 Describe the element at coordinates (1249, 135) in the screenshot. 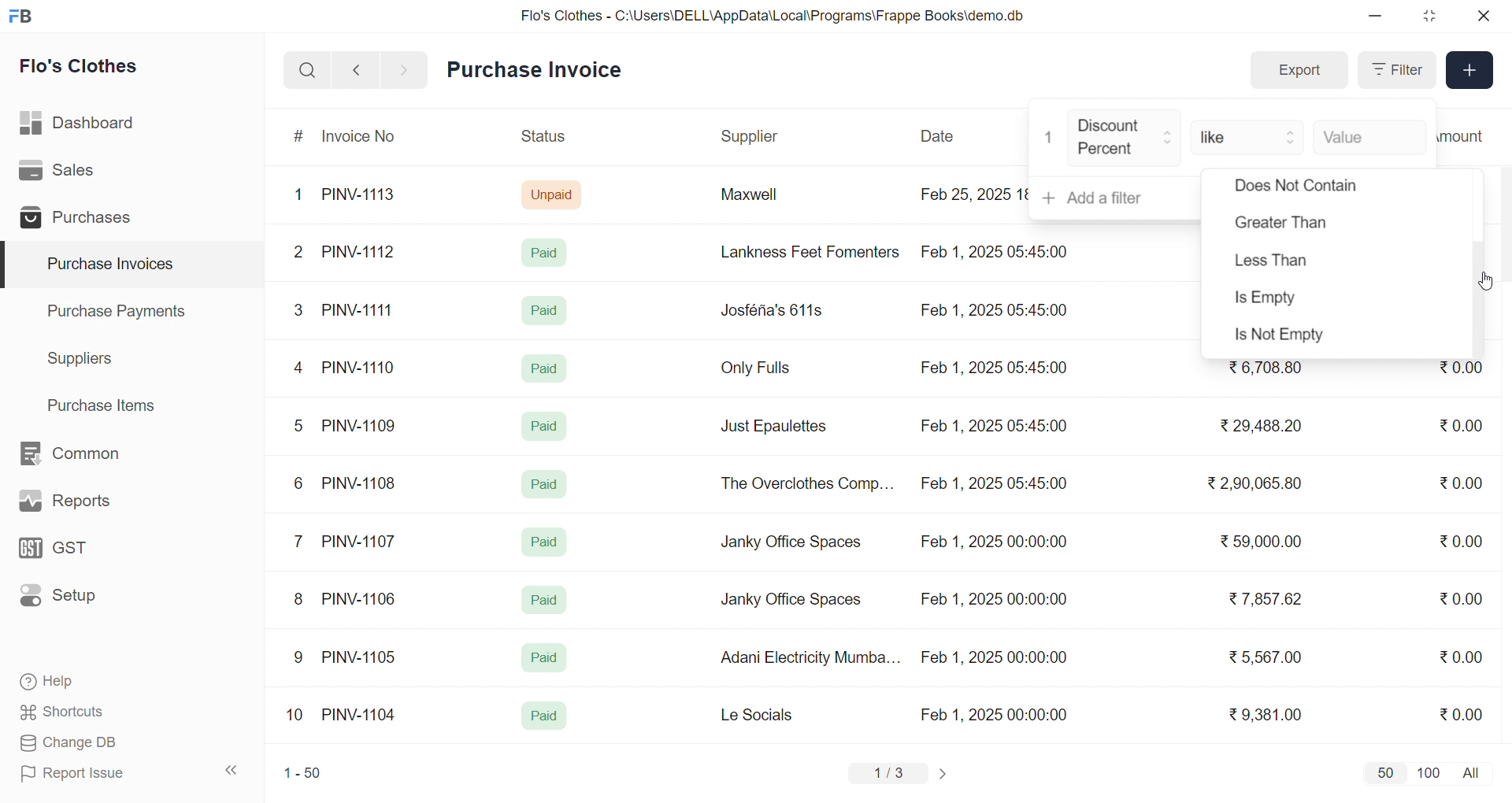

I see `like` at that location.